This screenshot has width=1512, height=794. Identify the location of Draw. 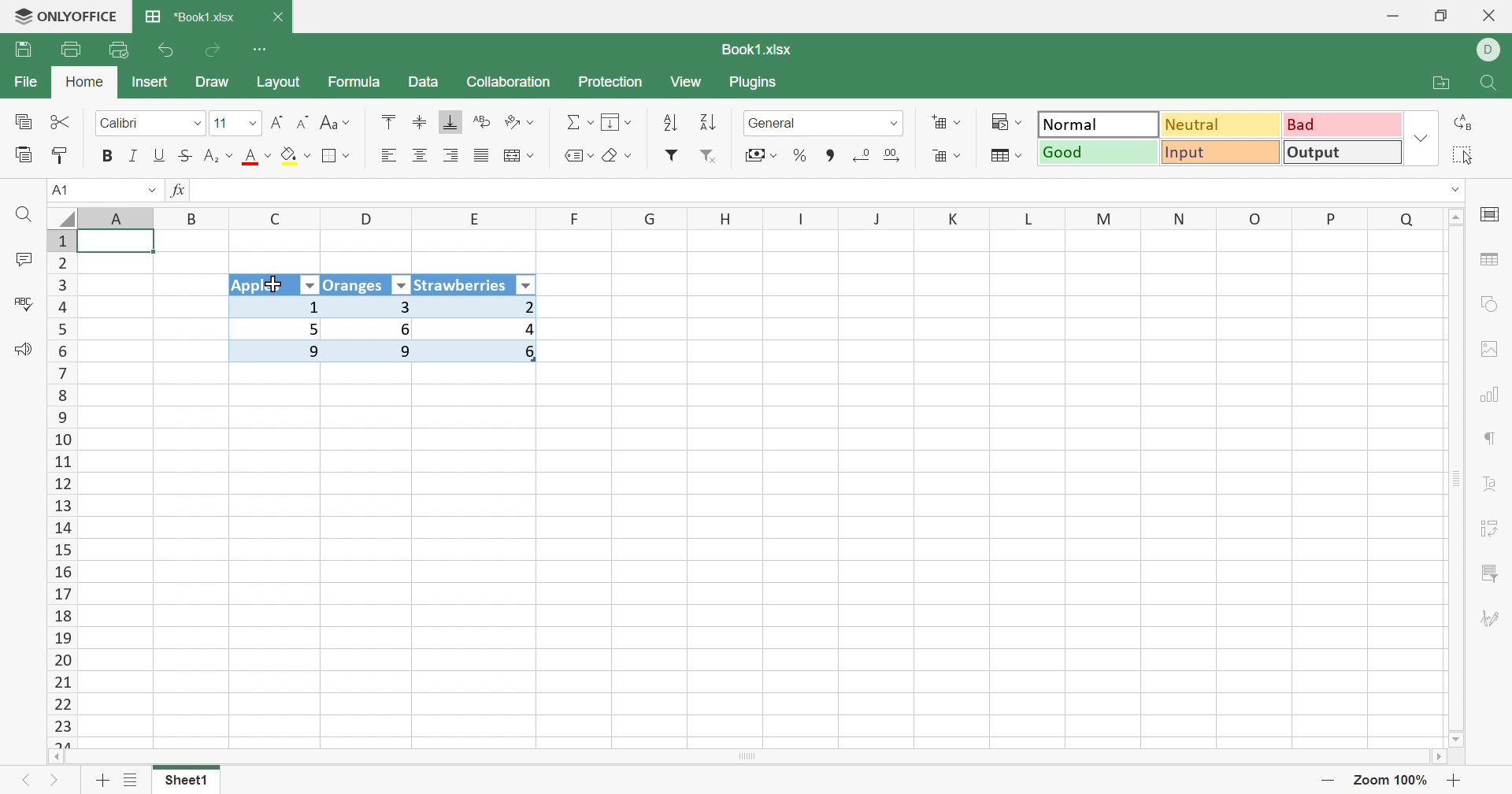
(218, 83).